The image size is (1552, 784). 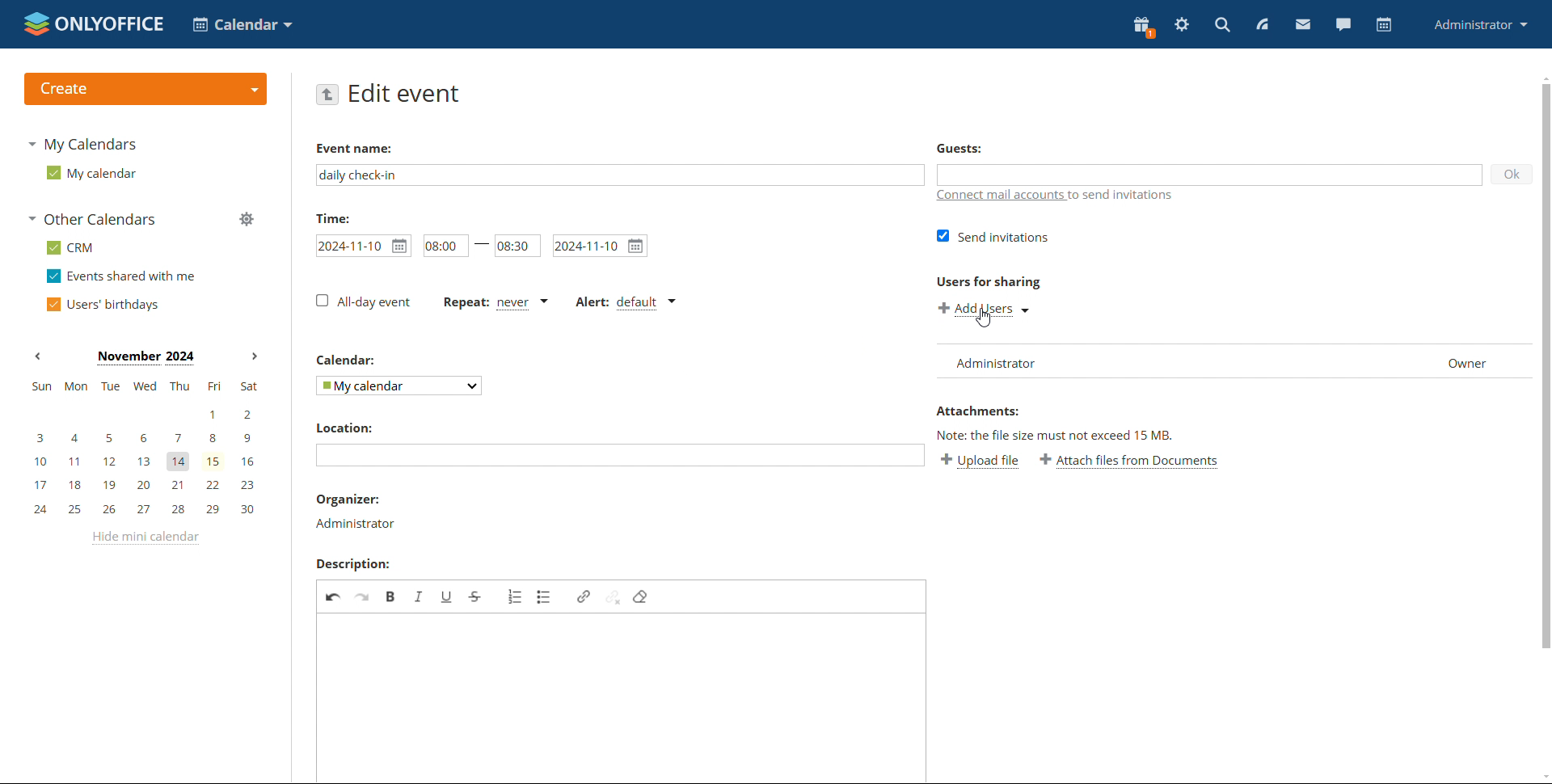 What do you see at coordinates (1129, 462) in the screenshot?
I see `attach files from documents` at bounding box center [1129, 462].